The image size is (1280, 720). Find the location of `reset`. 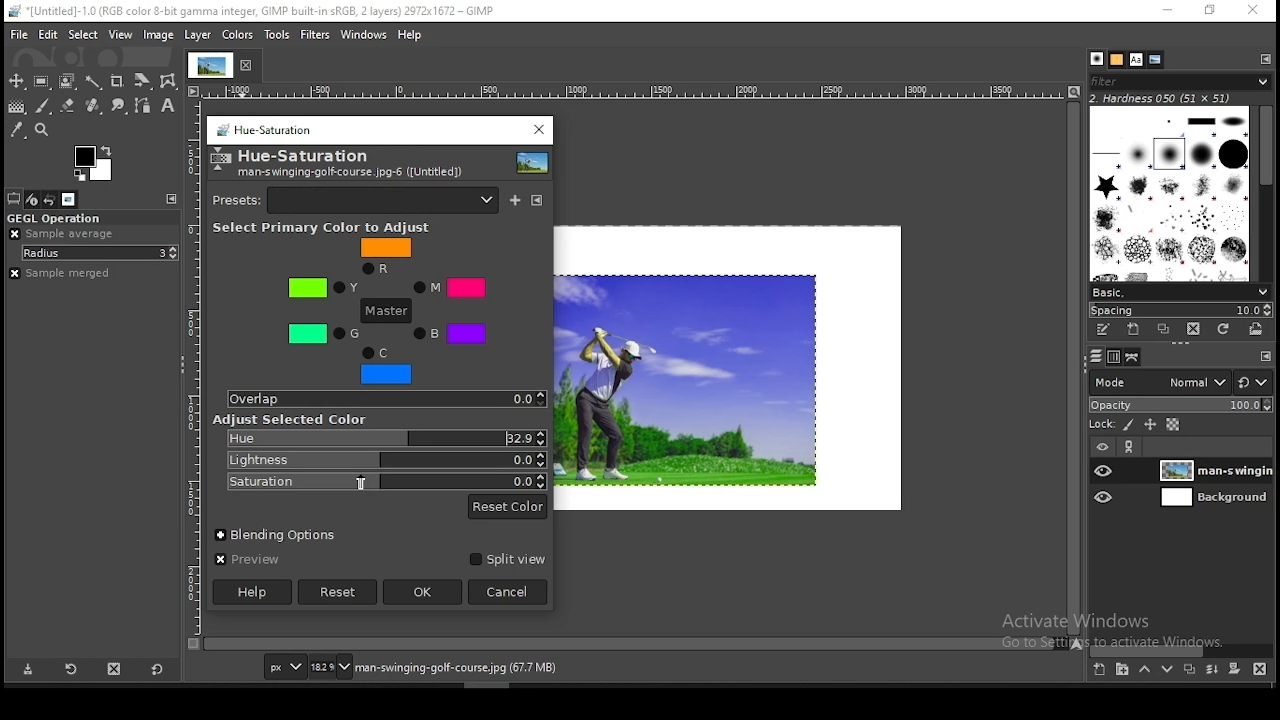

reset is located at coordinates (336, 593).